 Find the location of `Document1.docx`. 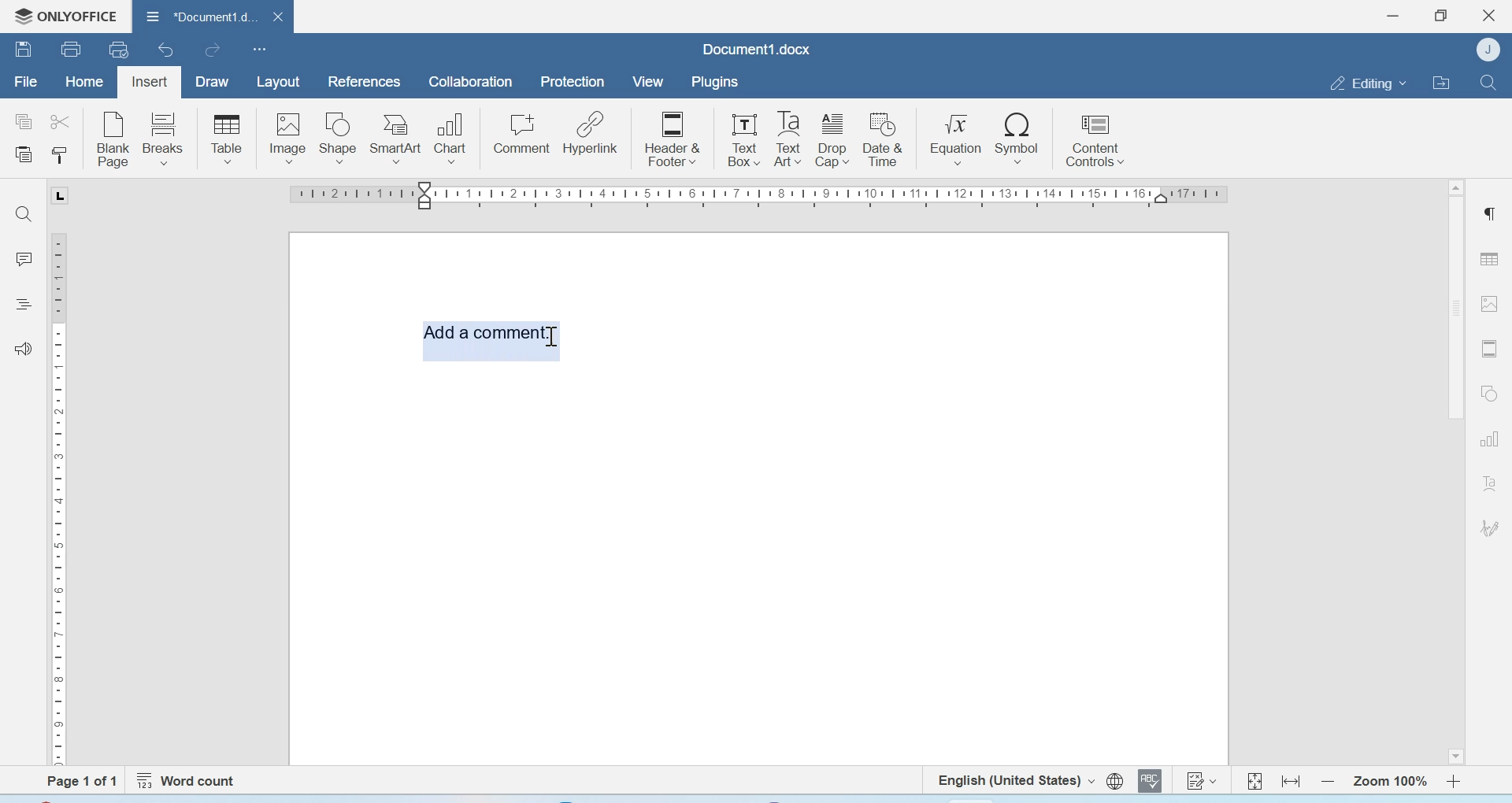

Document1.docx is located at coordinates (760, 49).